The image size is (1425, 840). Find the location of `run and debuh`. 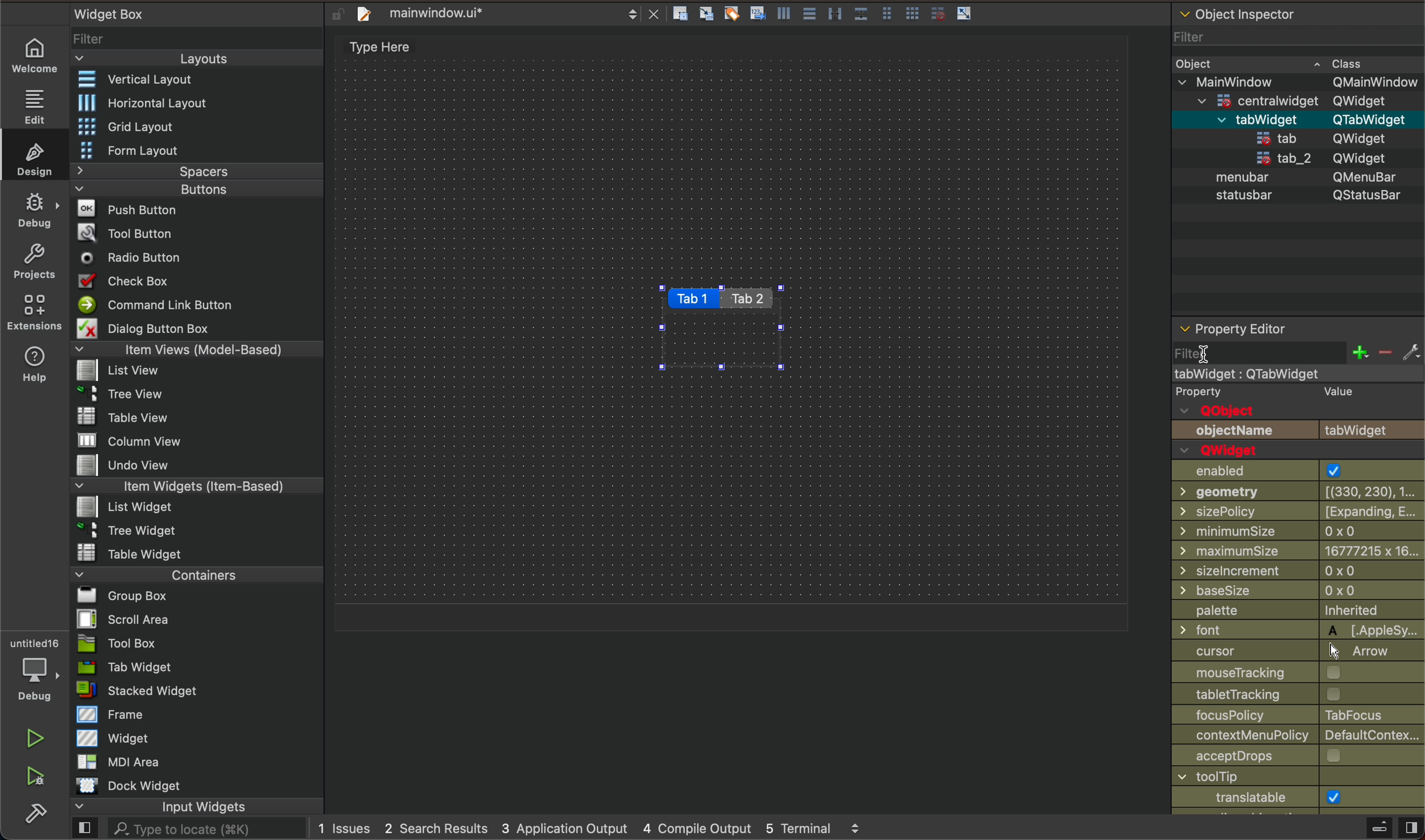

run and debuh is located at coordinates (42, 777).